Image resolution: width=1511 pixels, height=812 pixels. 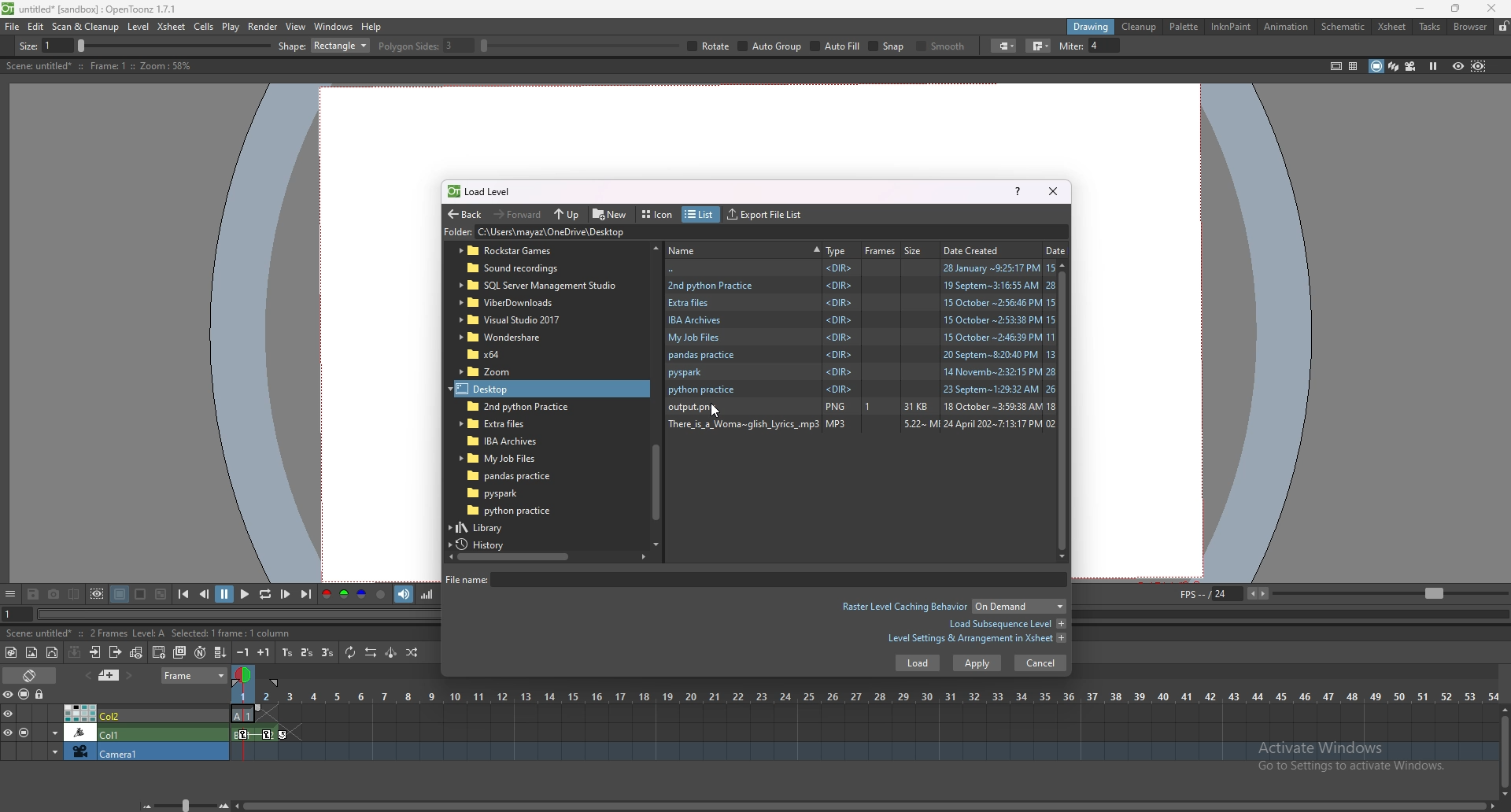 I want to click on timeline, so click(x=864, y=733).